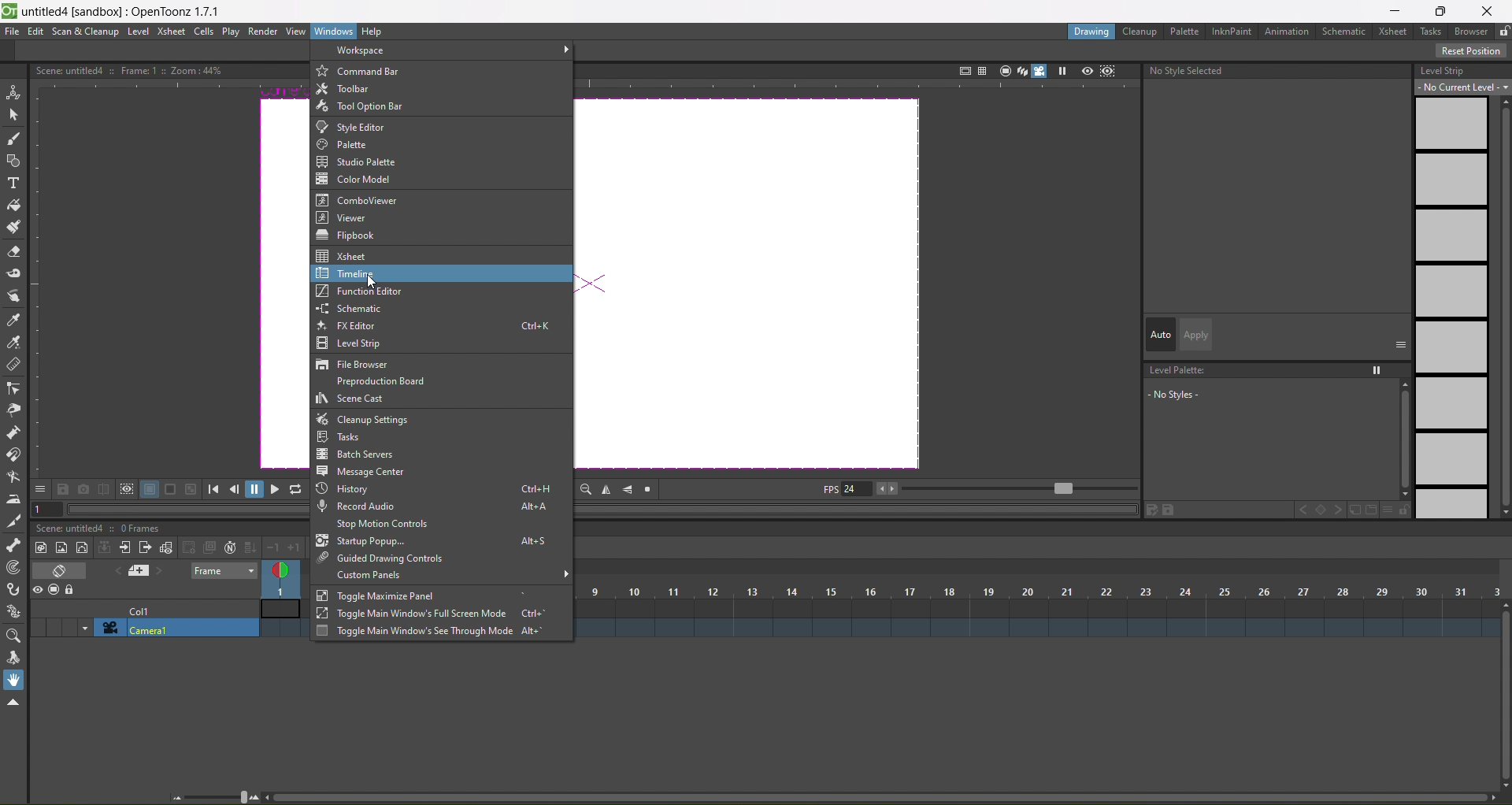  I want to click on flipbook, so click(349, 235).